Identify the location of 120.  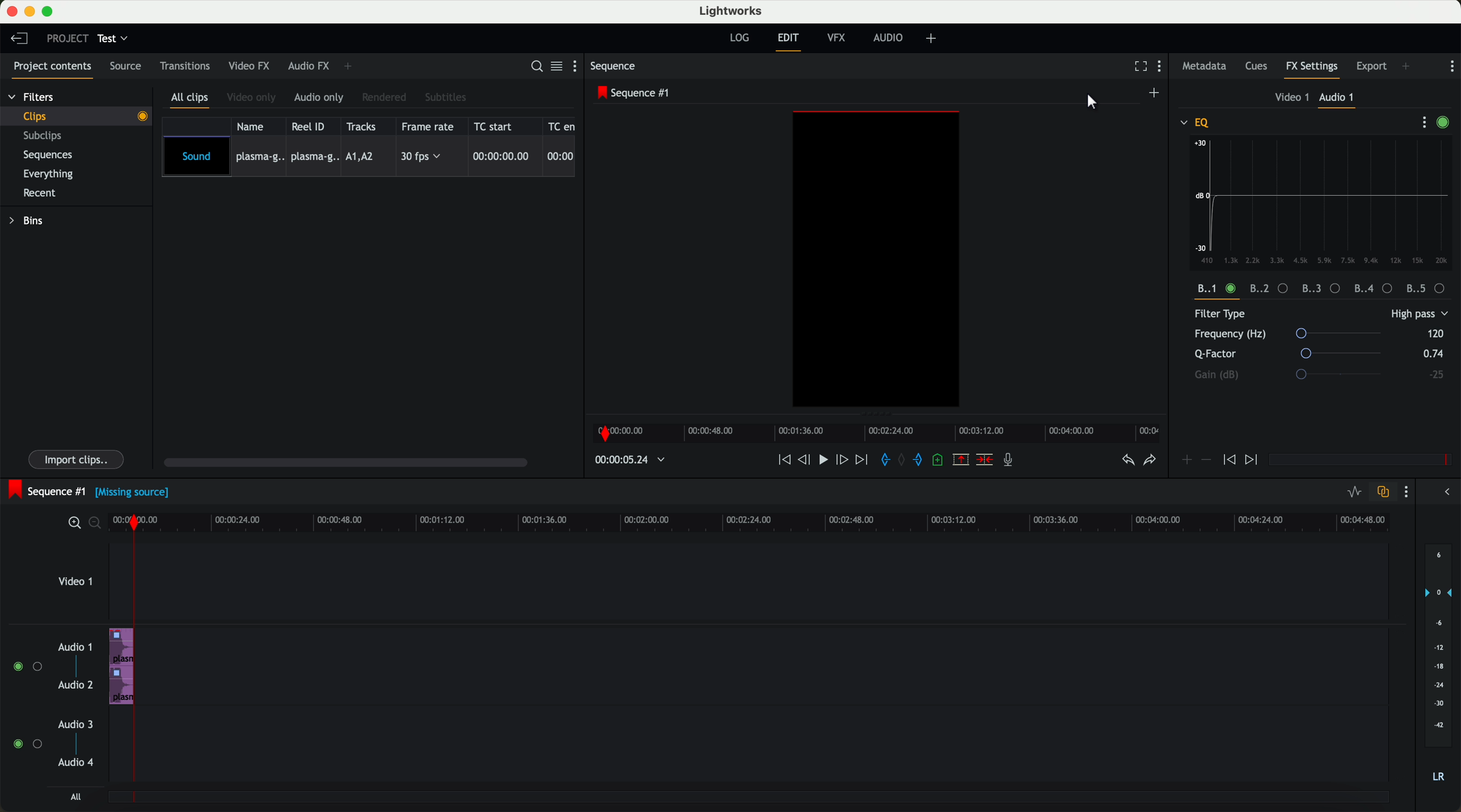
(1435, 333).